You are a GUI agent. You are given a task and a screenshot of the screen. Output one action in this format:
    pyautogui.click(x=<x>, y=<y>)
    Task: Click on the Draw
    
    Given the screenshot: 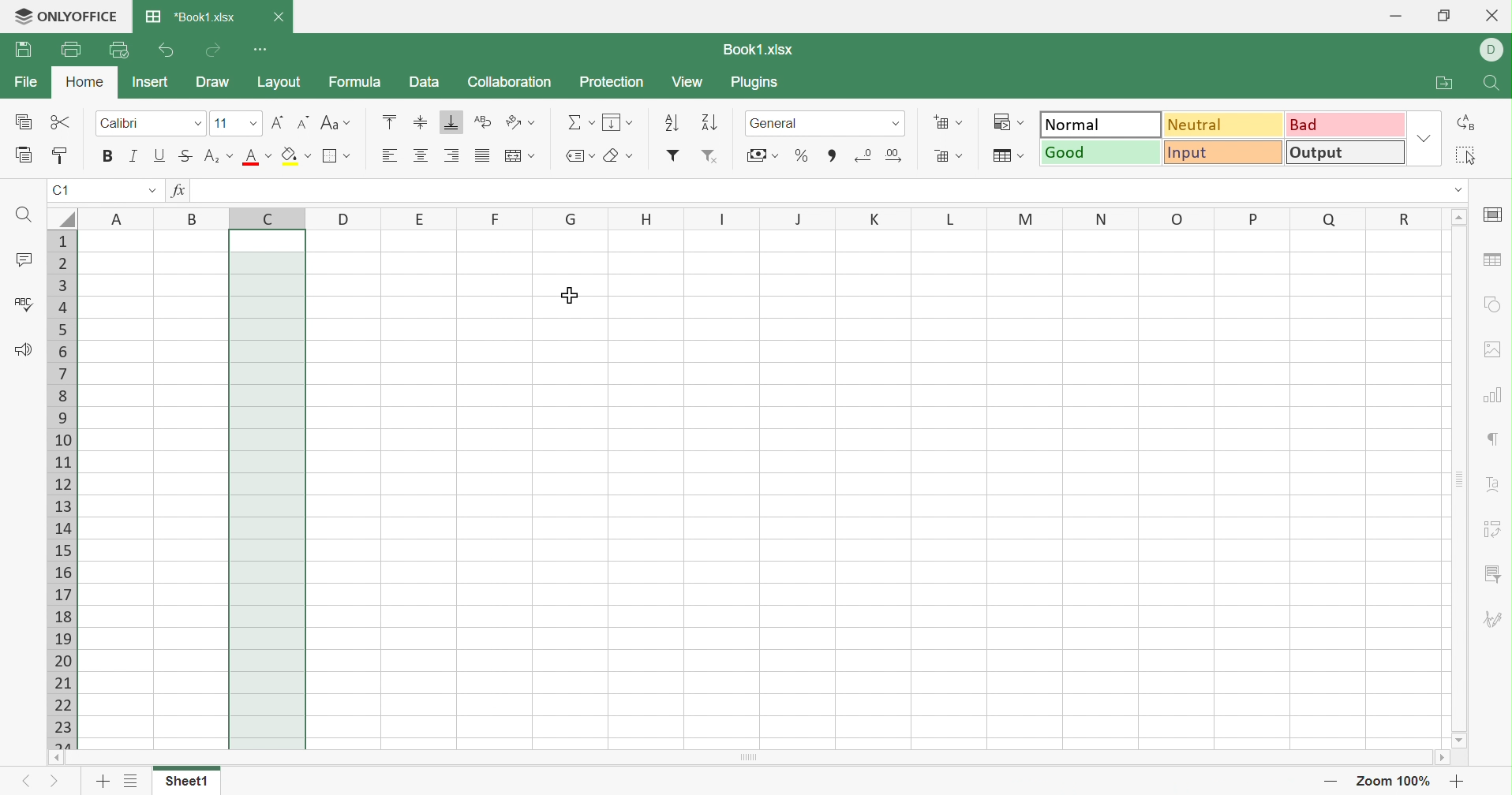 What is the action you would take?
    pyautogui.click(x=215, y=83)
    